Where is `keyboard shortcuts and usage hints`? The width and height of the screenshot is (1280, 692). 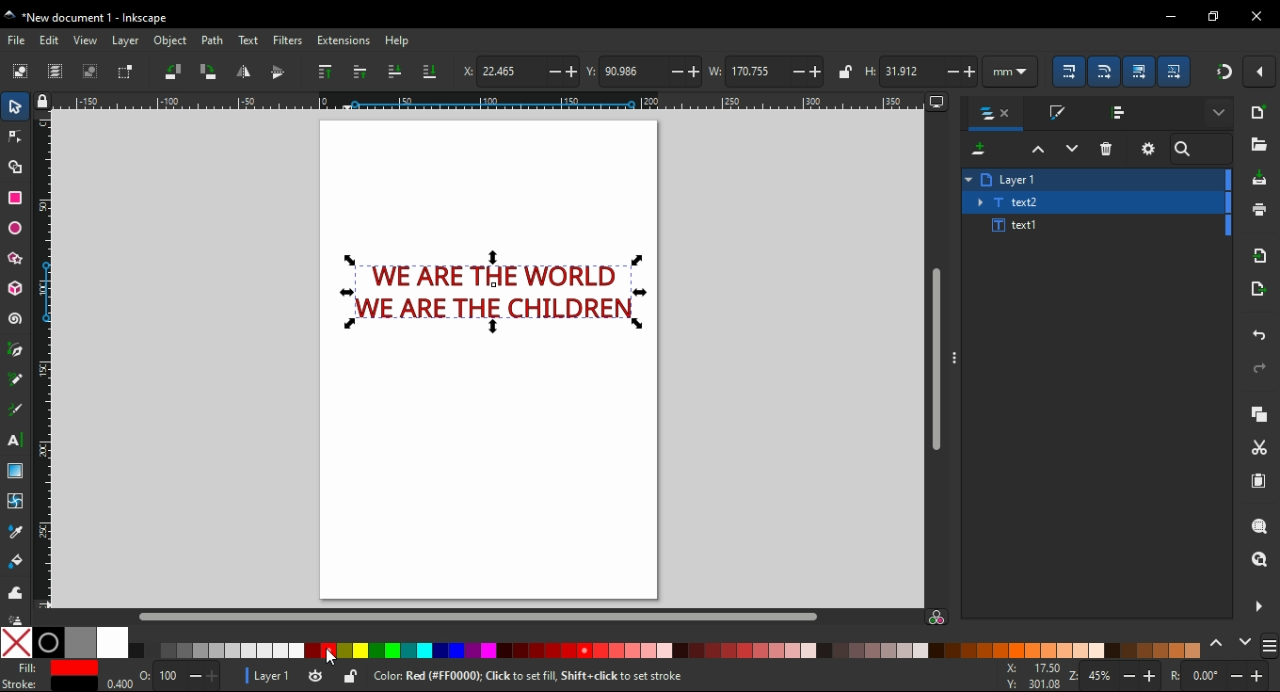 keyboard shortcuts and usage hints is located at coordinates (535, 675).